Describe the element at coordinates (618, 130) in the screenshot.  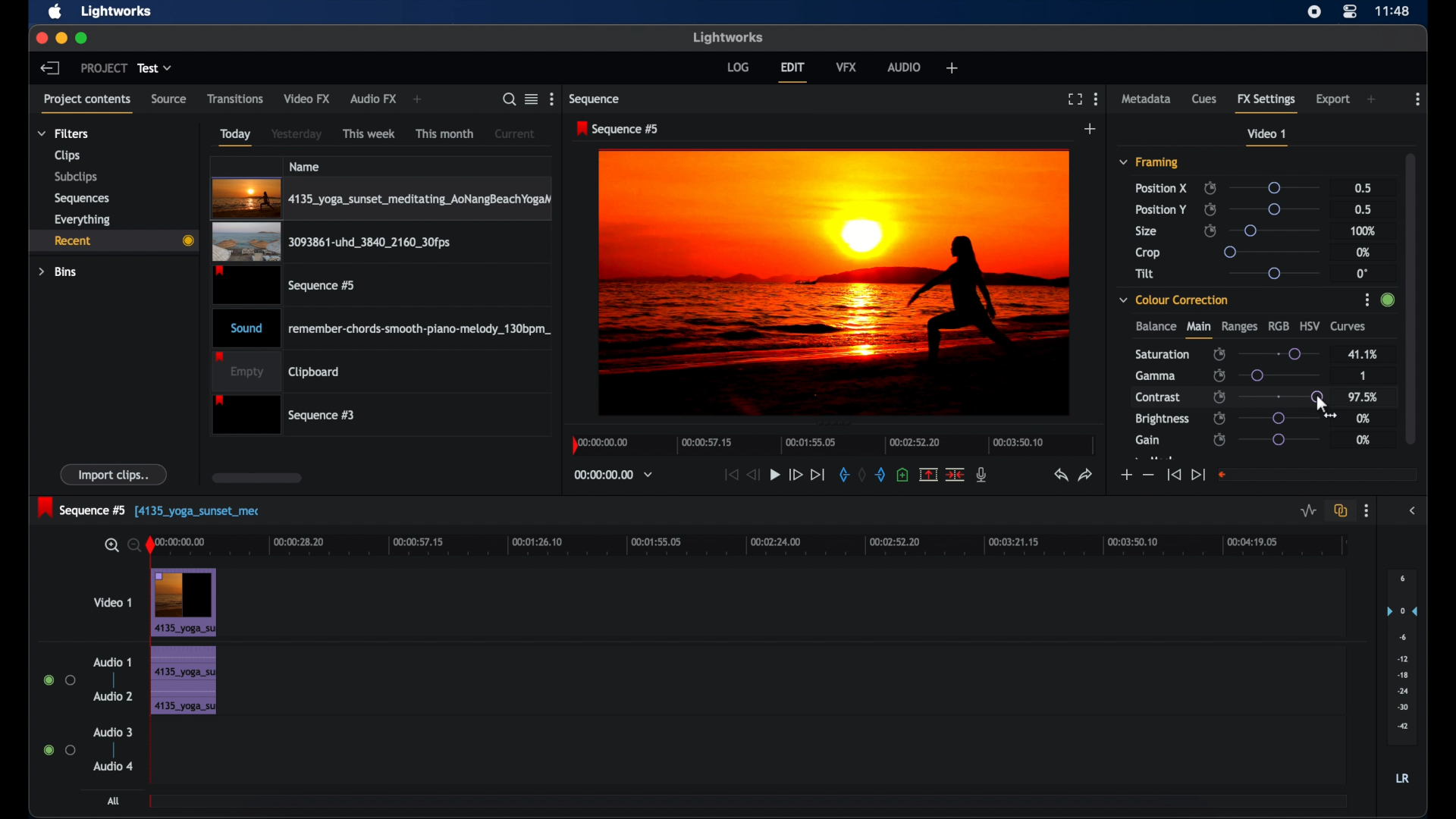
I see `sequence 5` at that location.